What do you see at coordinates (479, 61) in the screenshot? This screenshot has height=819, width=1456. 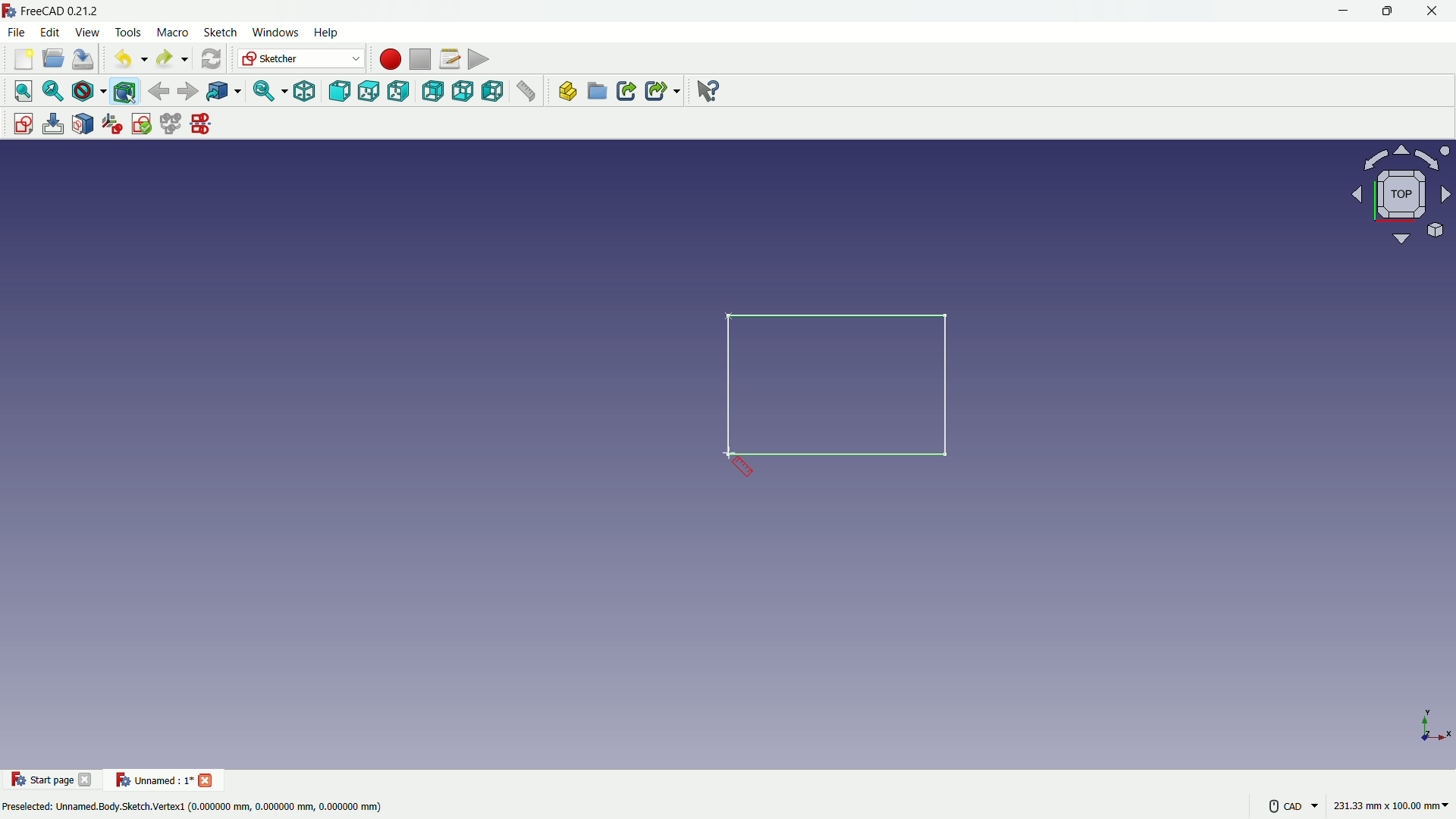 I see `execute macros` at bounding box center [479, 61].